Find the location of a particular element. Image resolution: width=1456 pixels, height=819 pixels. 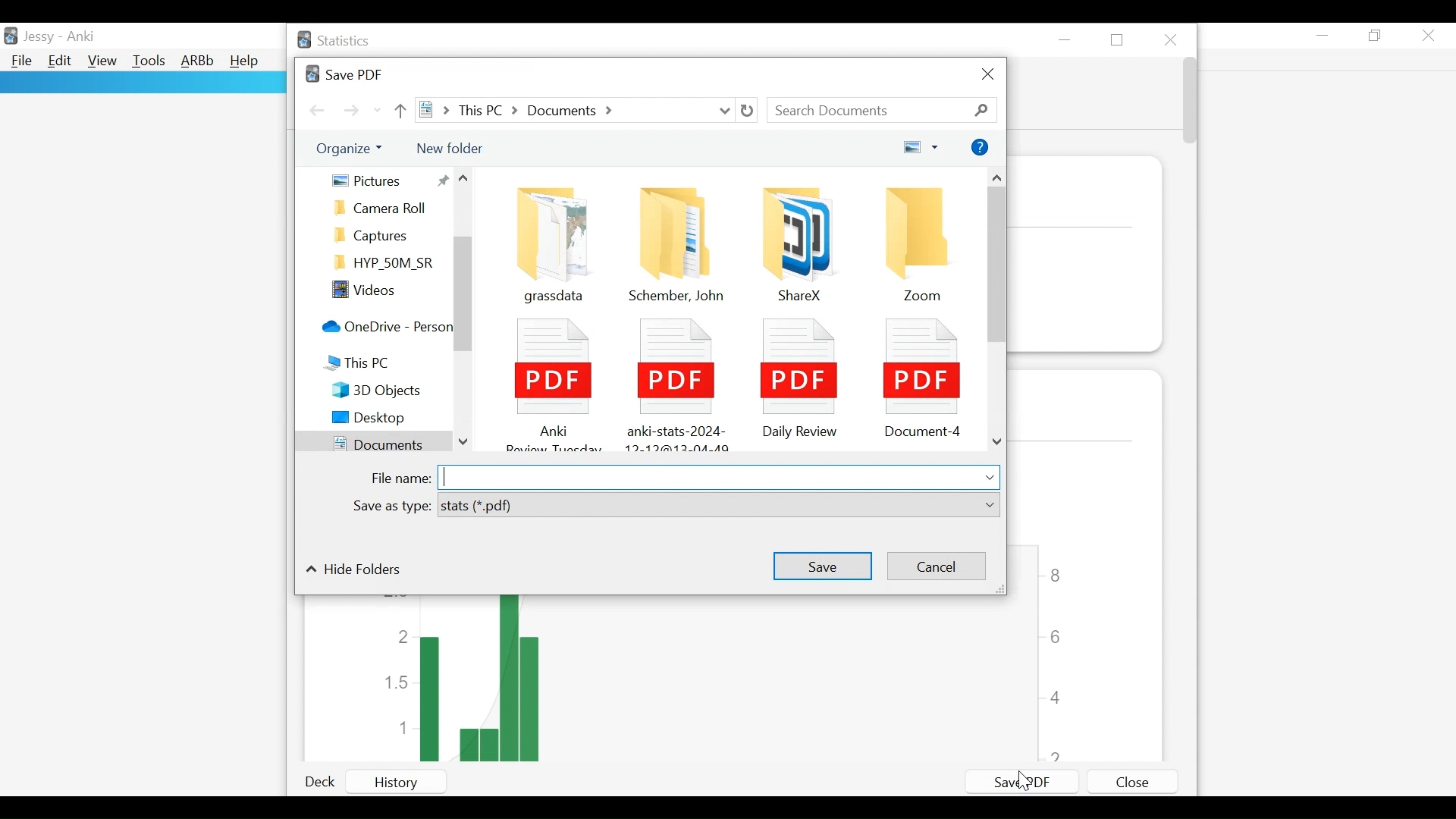

minimize is located at coordinates (1323, 35).